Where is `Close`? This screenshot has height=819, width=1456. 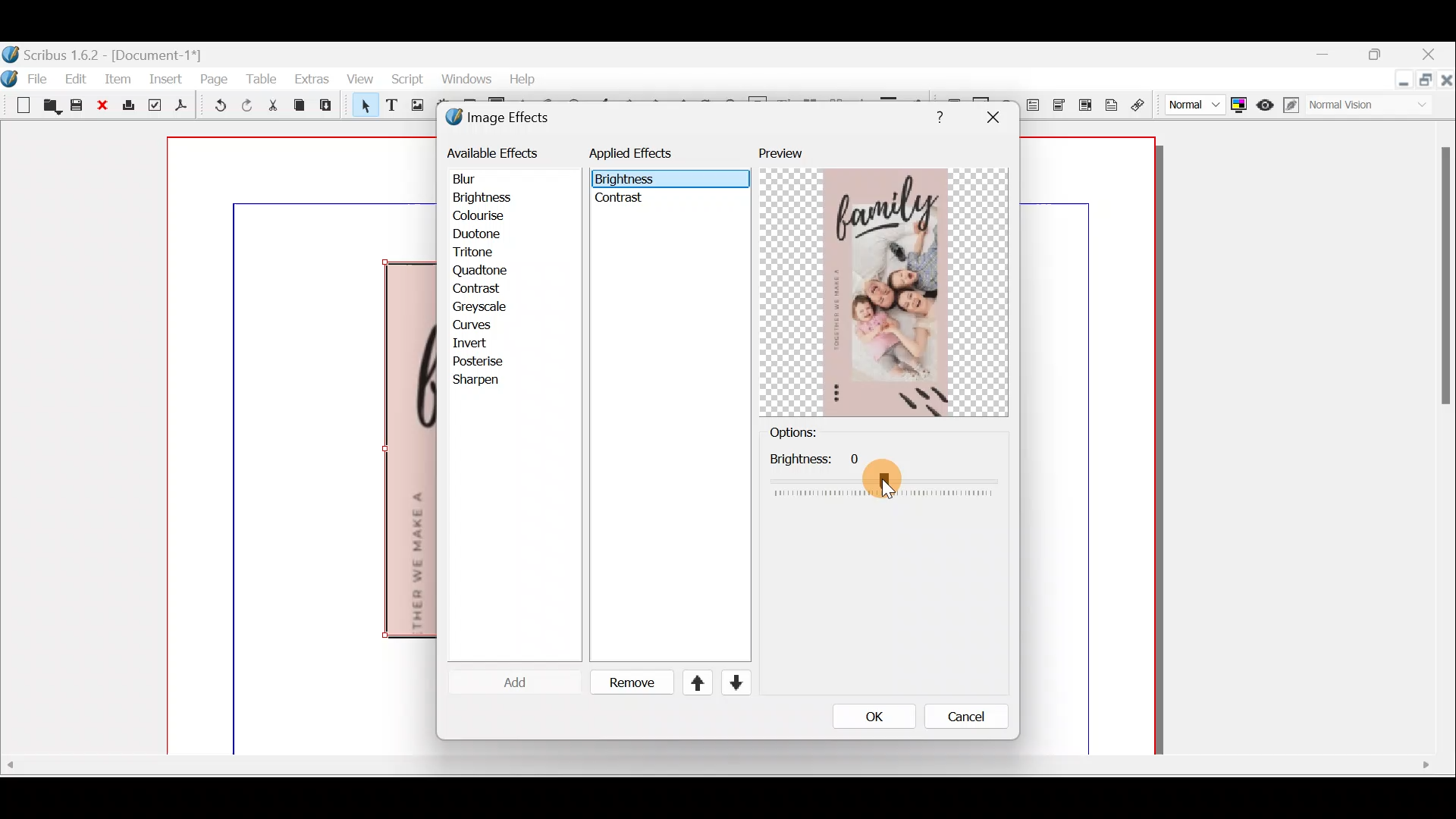 Close is located at coordinates (1430, 56).